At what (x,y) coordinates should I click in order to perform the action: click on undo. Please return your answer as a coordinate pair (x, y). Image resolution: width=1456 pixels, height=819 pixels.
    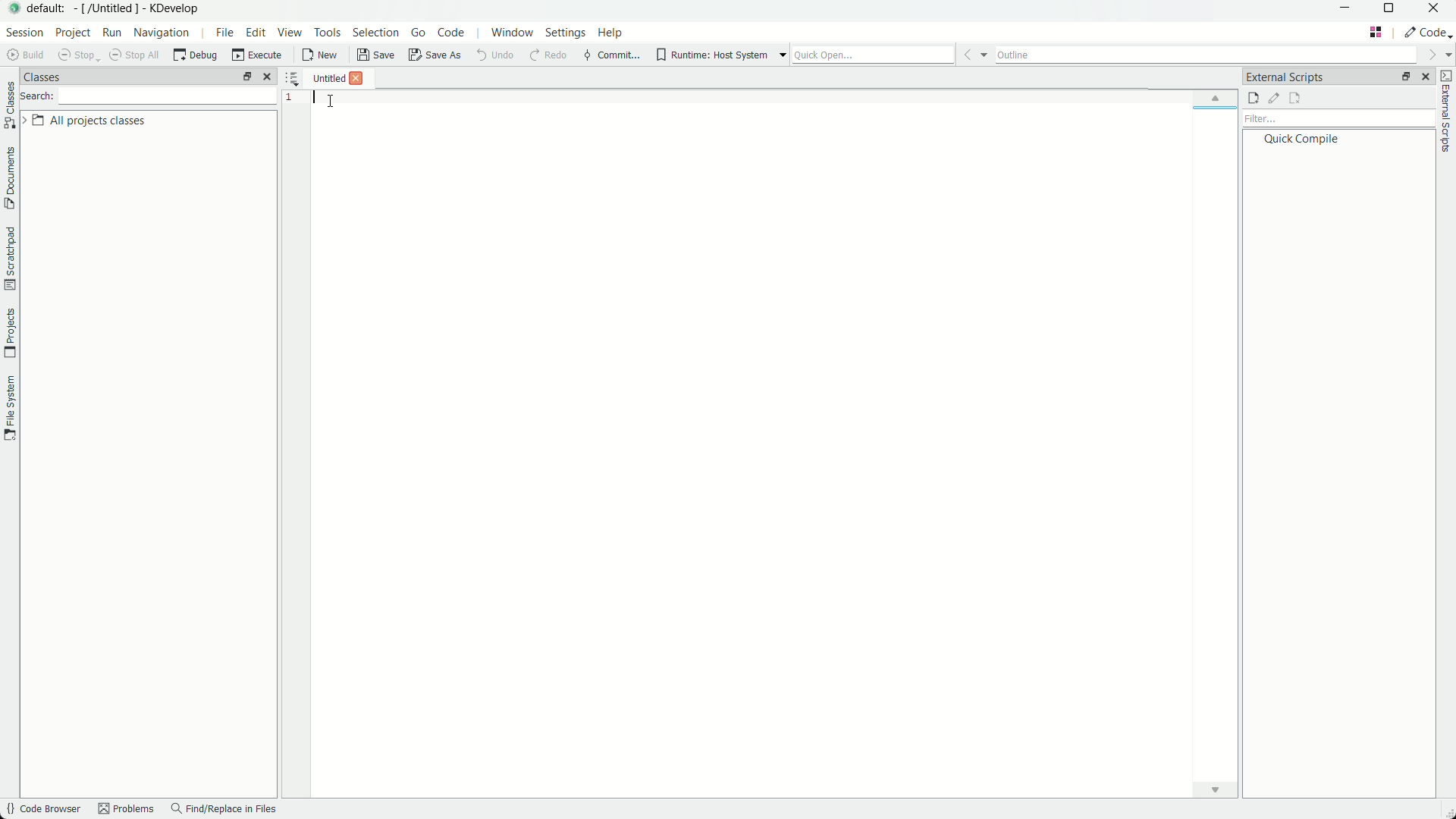
    Looking at the image, I should click on (500, 56).